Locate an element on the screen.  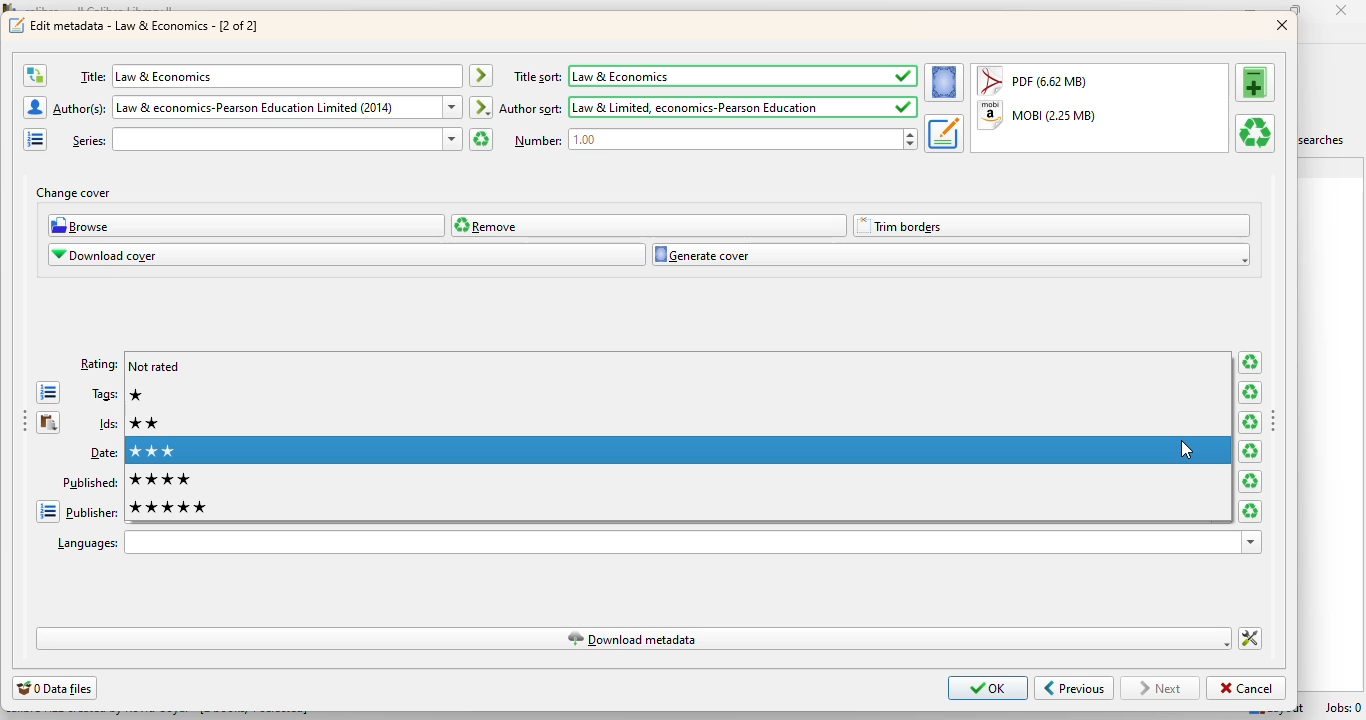
0 data files is located at coordinates (55, 688).